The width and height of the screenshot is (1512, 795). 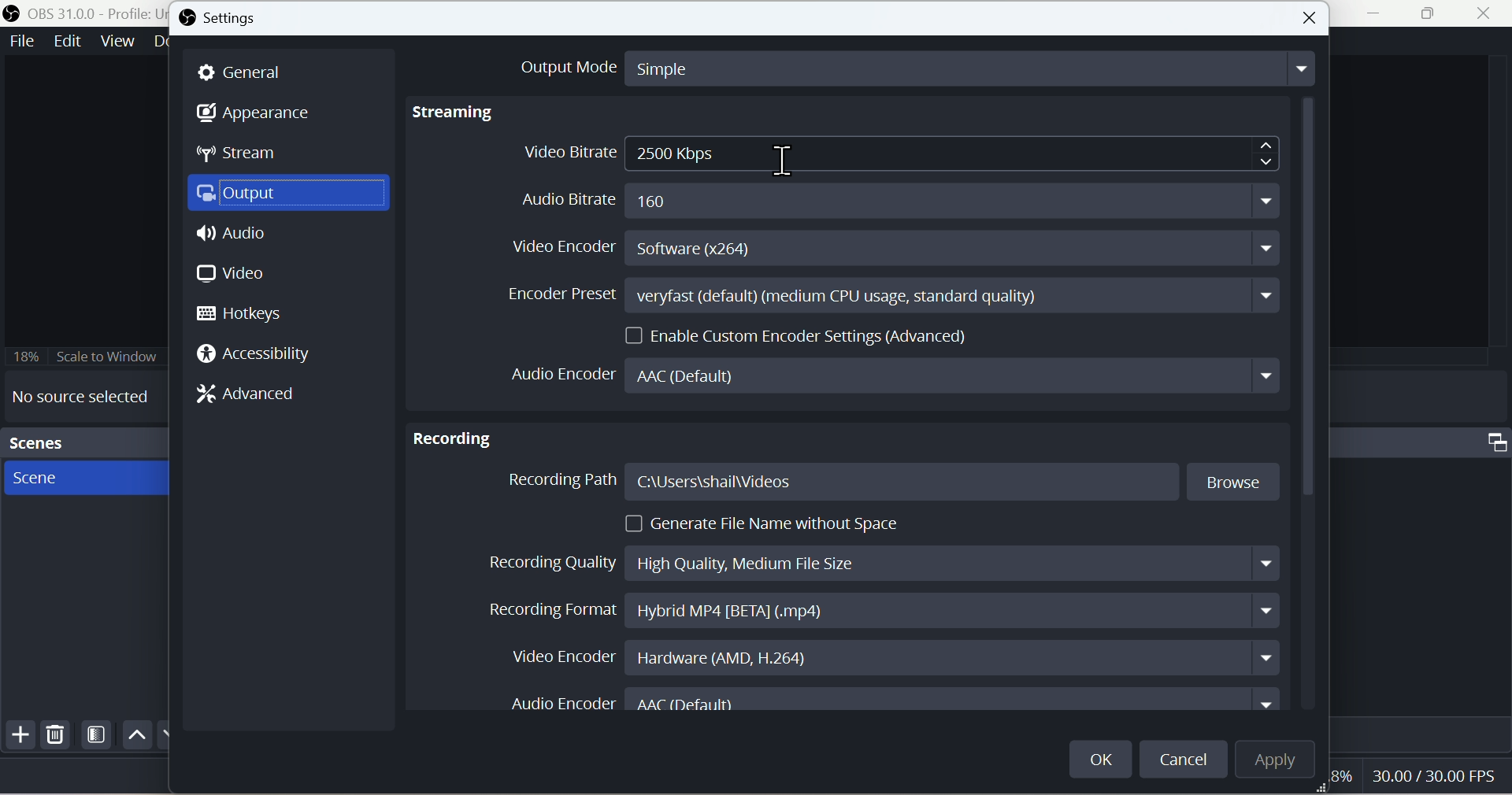 I want to click on Video, so click(x=232, y=273).